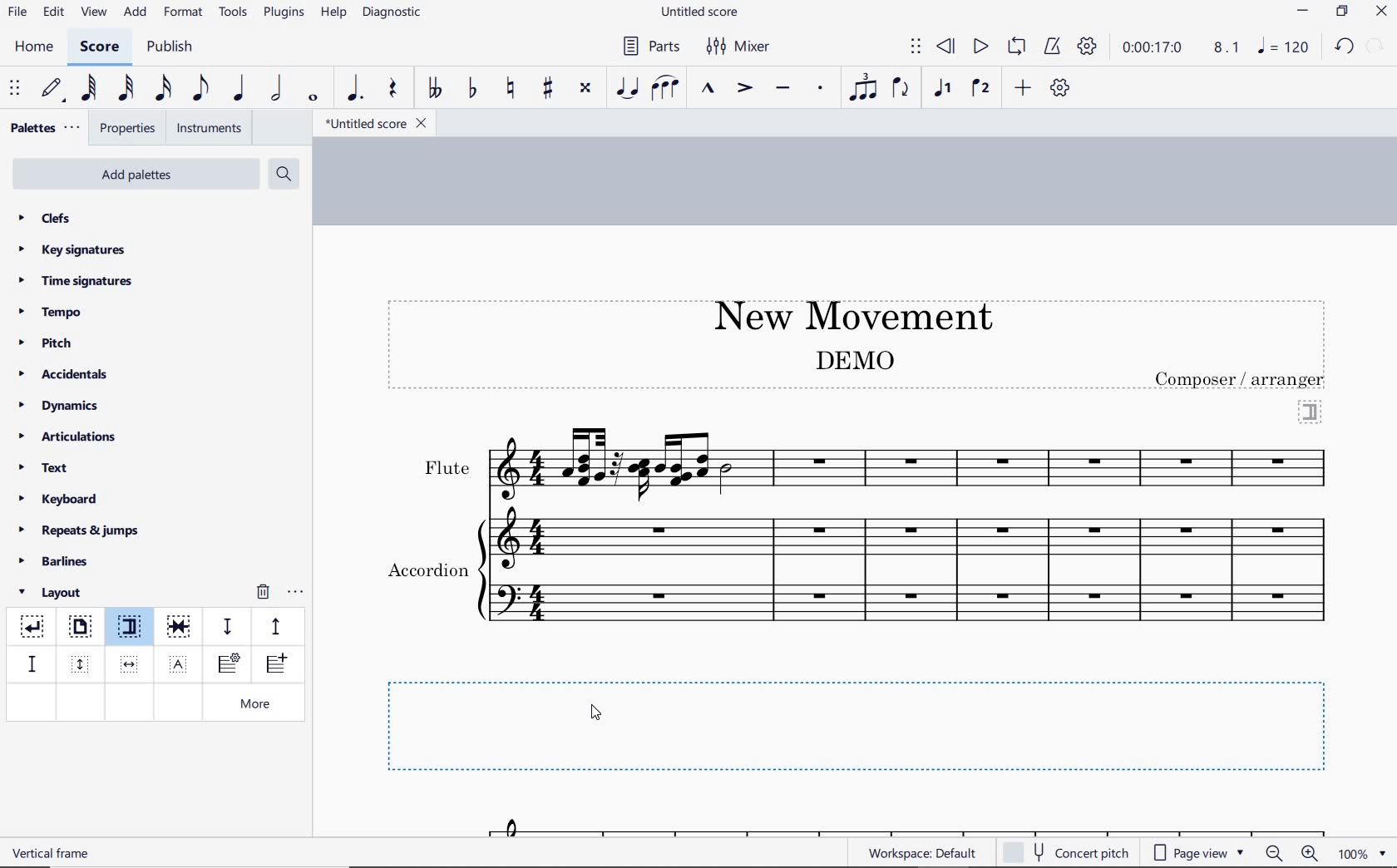 Image resolution: width=1397 pixels, height=868 pixels. I want to click on tie, so click(629, 89).